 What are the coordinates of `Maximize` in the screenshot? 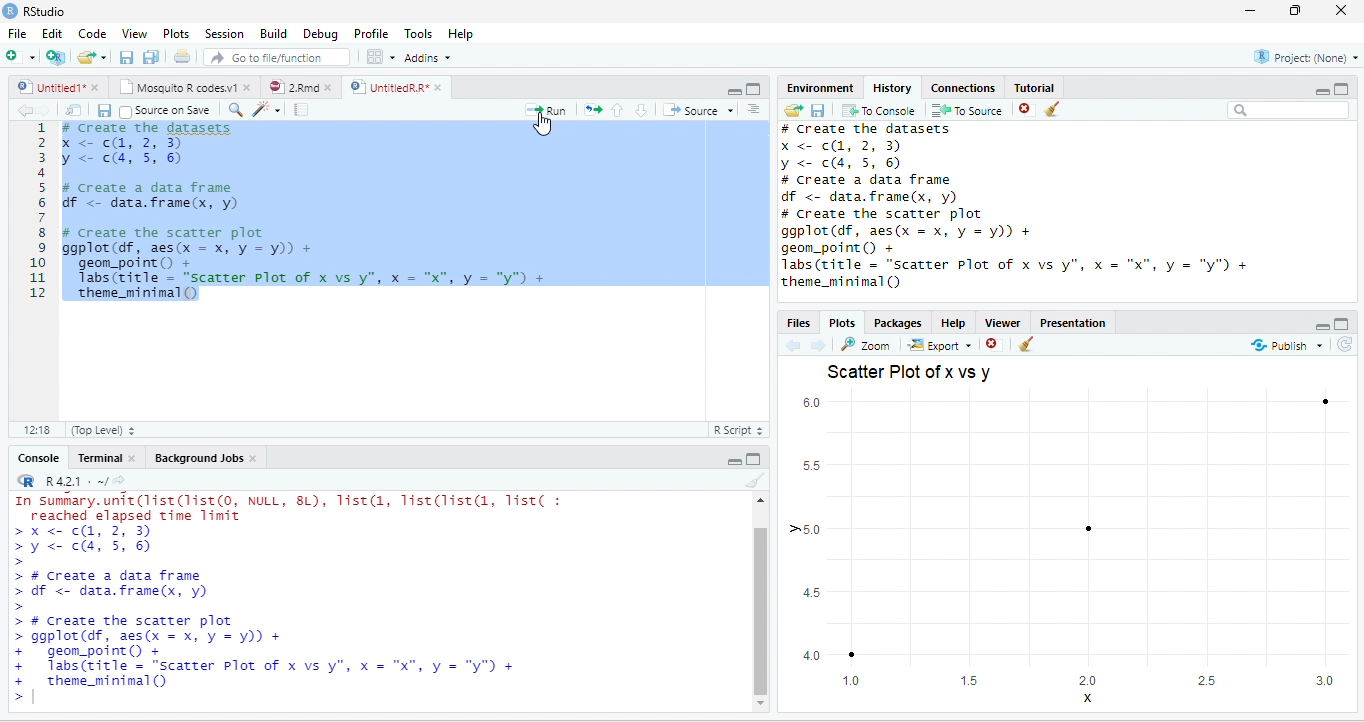 It's located at (754, 458).